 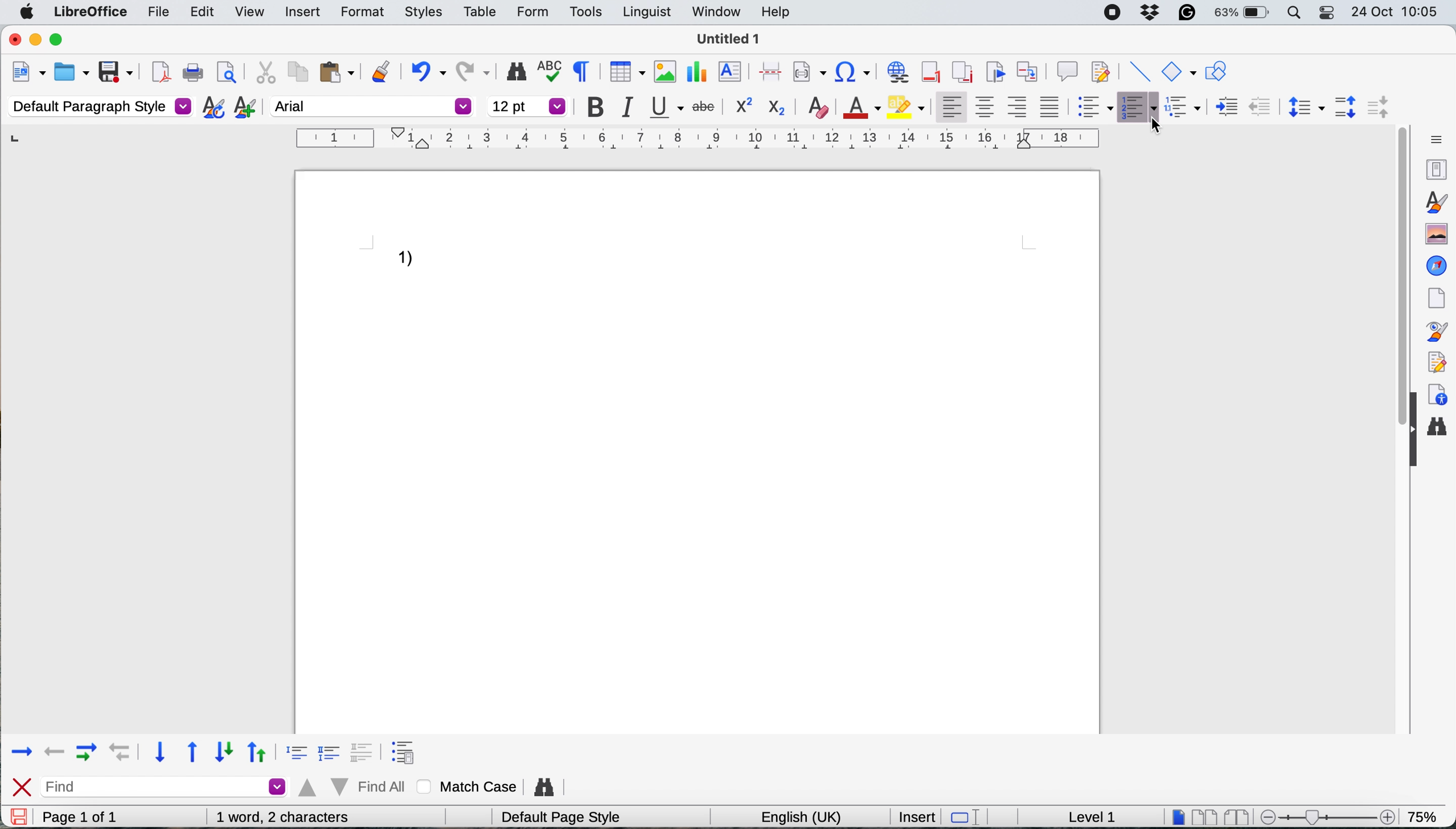 I want to click on match case, so click(x=470, y=786).